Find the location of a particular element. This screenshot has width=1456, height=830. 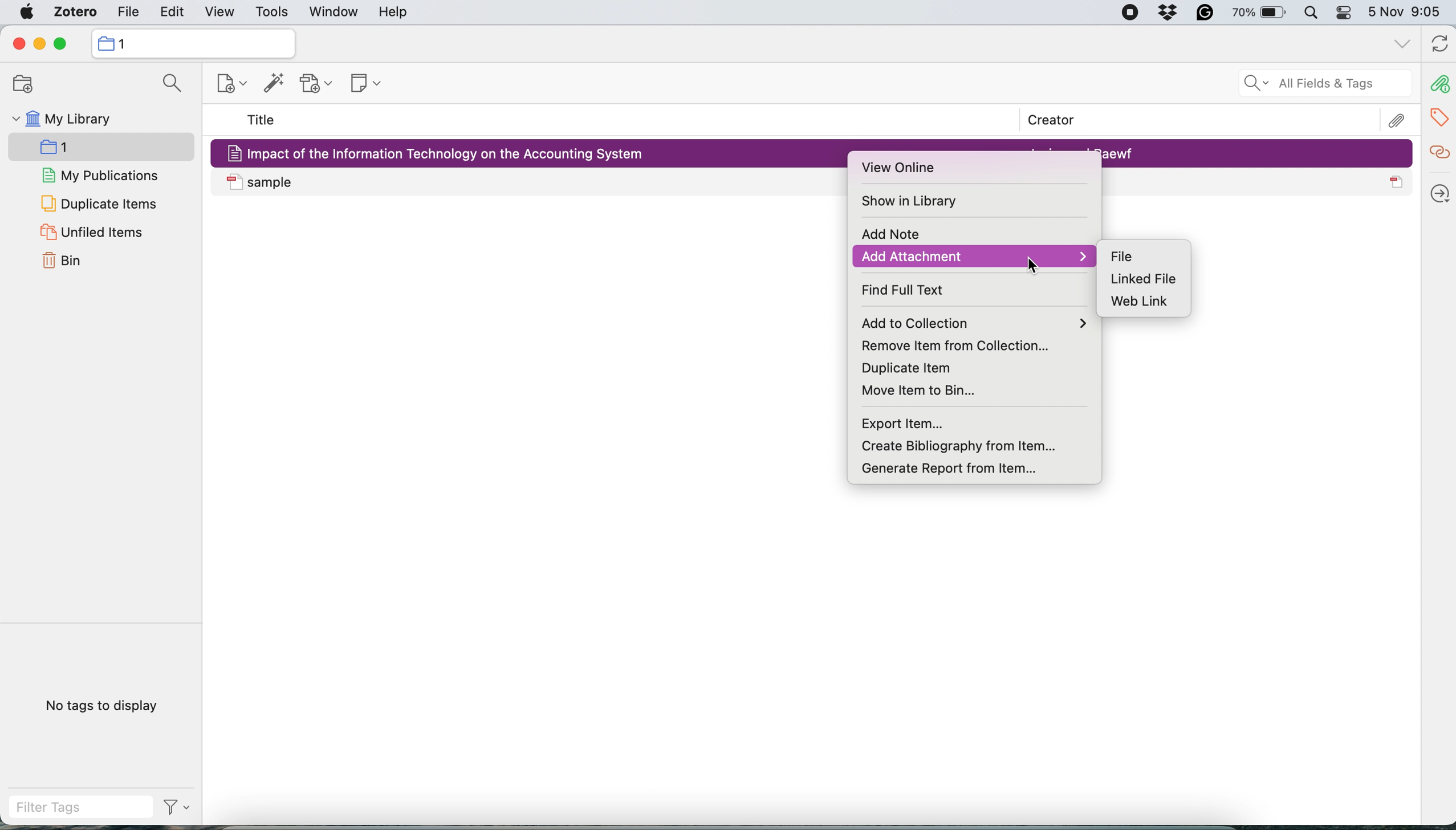

add to collection is located at coordinates (979, 323).